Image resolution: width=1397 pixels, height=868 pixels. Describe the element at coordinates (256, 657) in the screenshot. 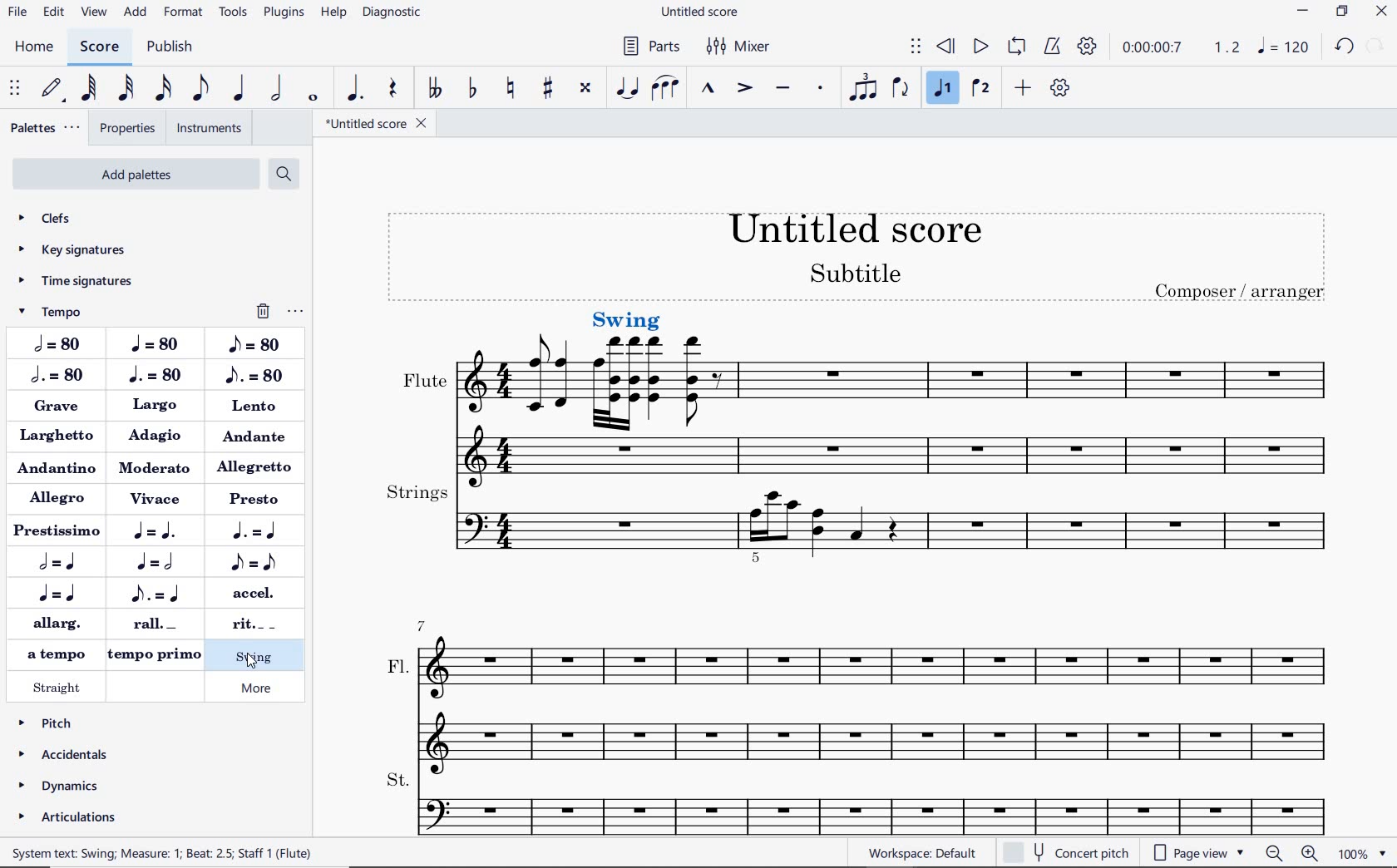

I see `SWING` at that location.